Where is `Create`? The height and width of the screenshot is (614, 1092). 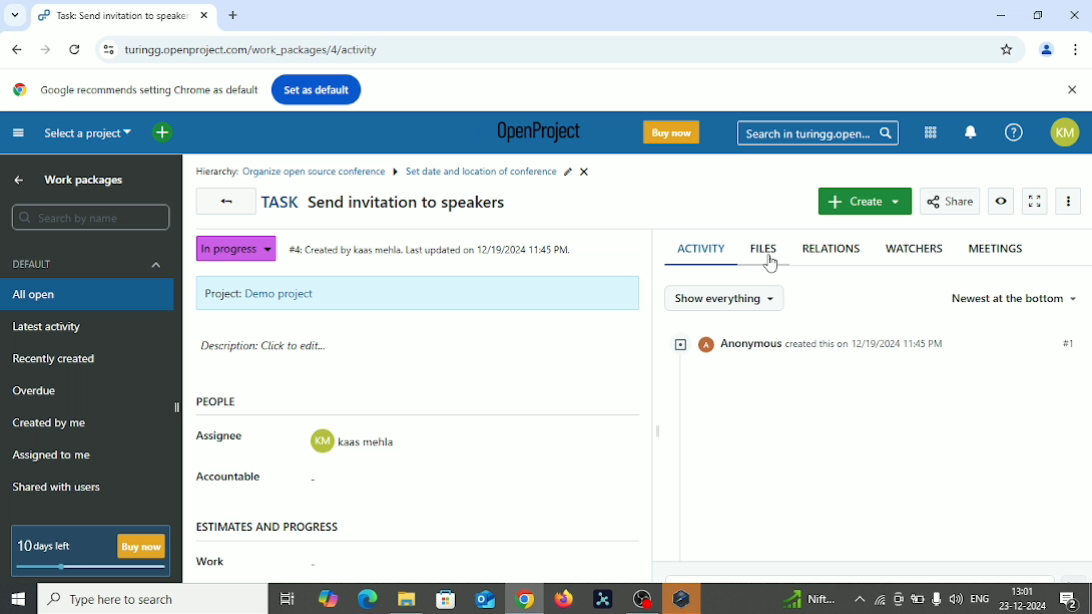 Create is located at coordinates (864, 202).